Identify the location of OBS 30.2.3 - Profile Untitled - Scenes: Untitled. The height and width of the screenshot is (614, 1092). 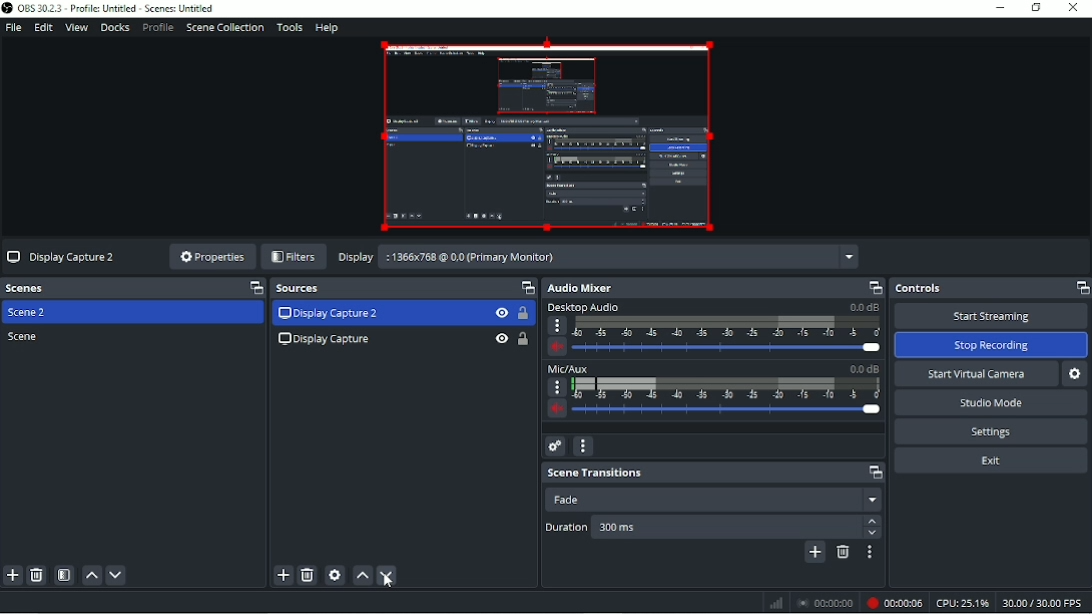
(113, 8).